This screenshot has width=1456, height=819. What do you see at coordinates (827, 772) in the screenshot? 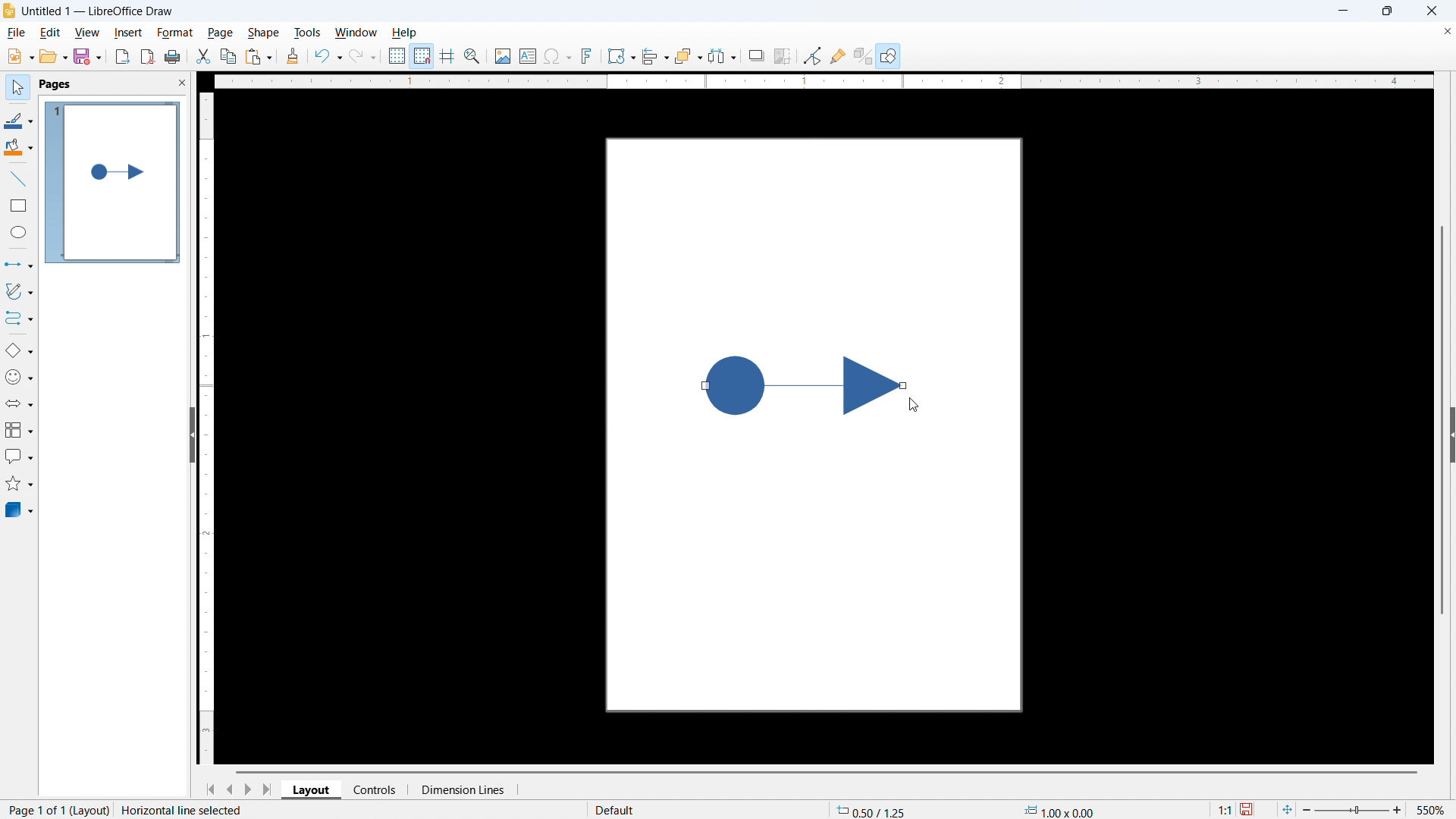
I see `Horizontal scroll bar ` at bounding box center [827, 772].